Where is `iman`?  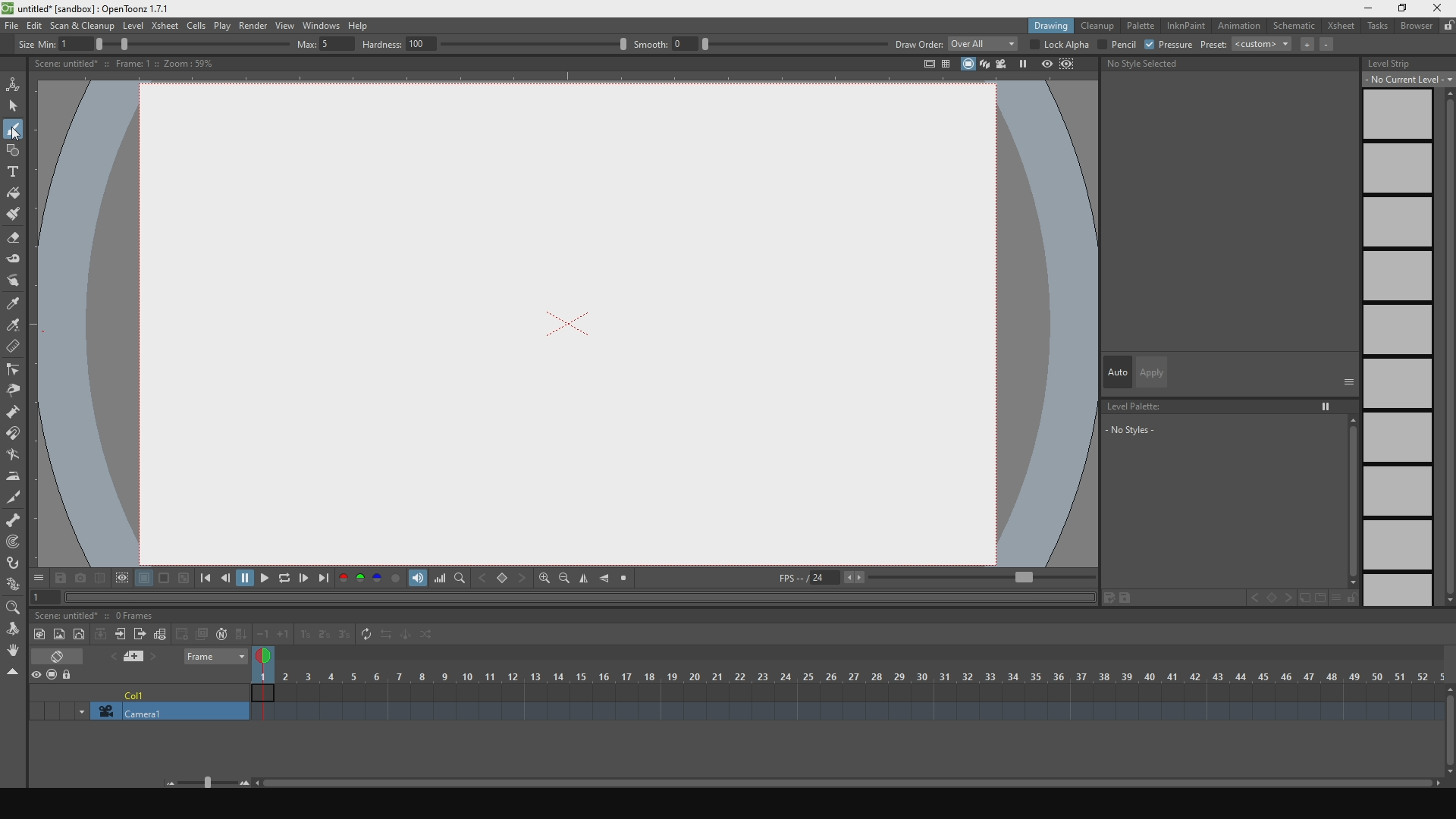 iman is located at coordinates (17, 436).